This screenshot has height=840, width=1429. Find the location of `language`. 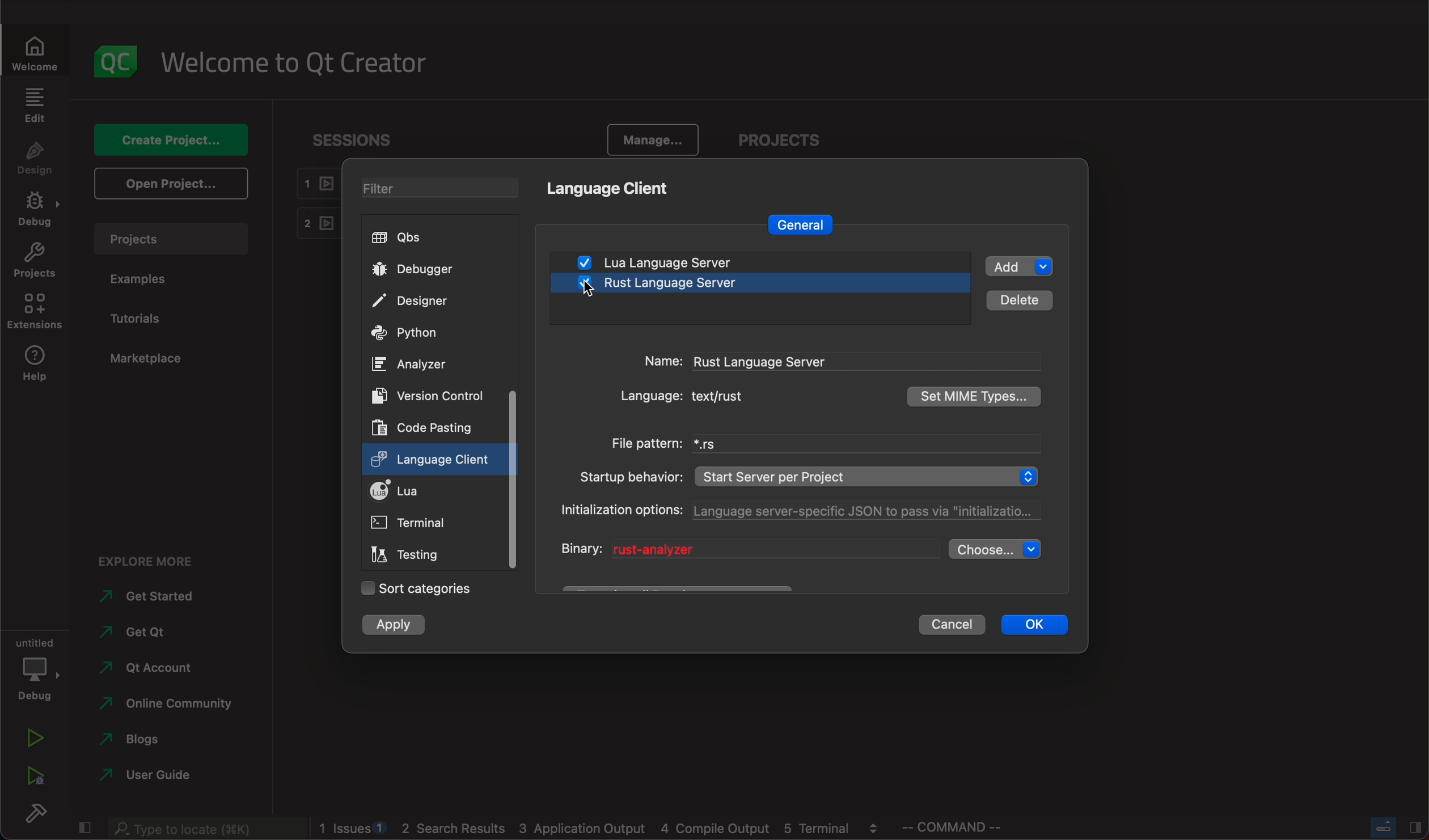

language is located at coordinates (702, 400).